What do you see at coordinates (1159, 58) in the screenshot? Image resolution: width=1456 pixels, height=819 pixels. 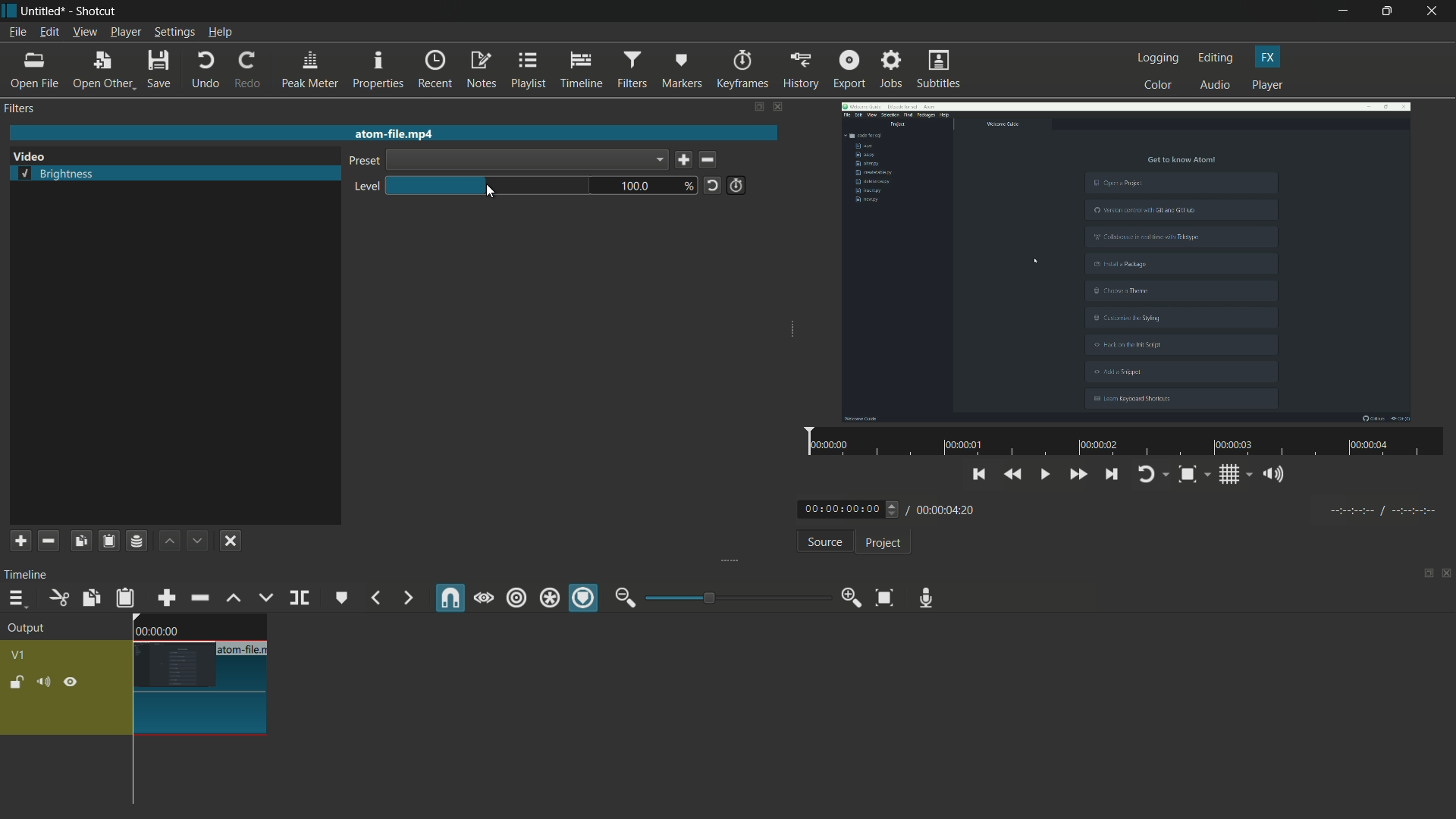 I see `logging` at bounding box center [1159, 58].